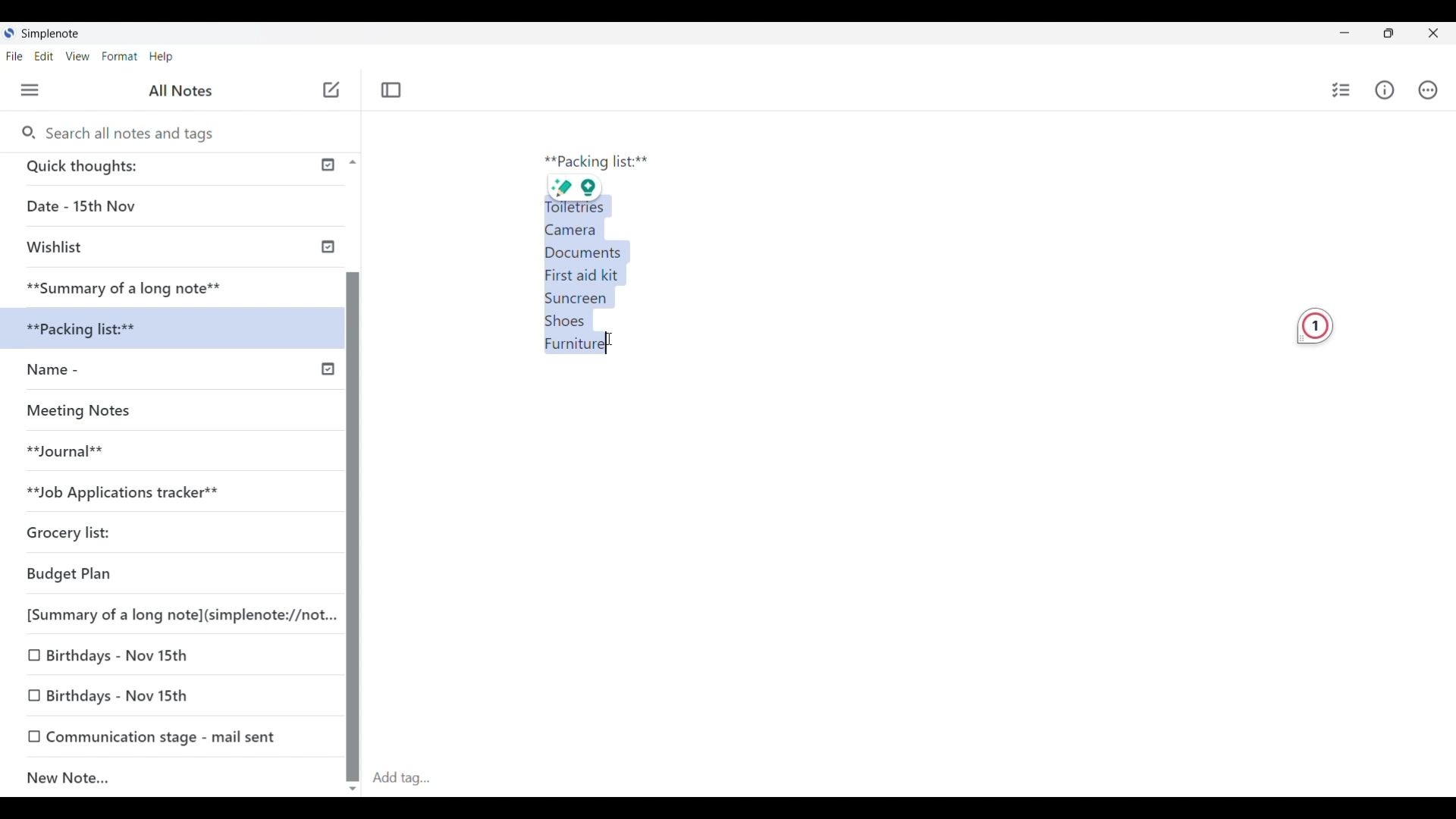  What do you see at coordinates (45, 56) in the screenshot?
I see `Edit menu` at bounding box center [45, 56].